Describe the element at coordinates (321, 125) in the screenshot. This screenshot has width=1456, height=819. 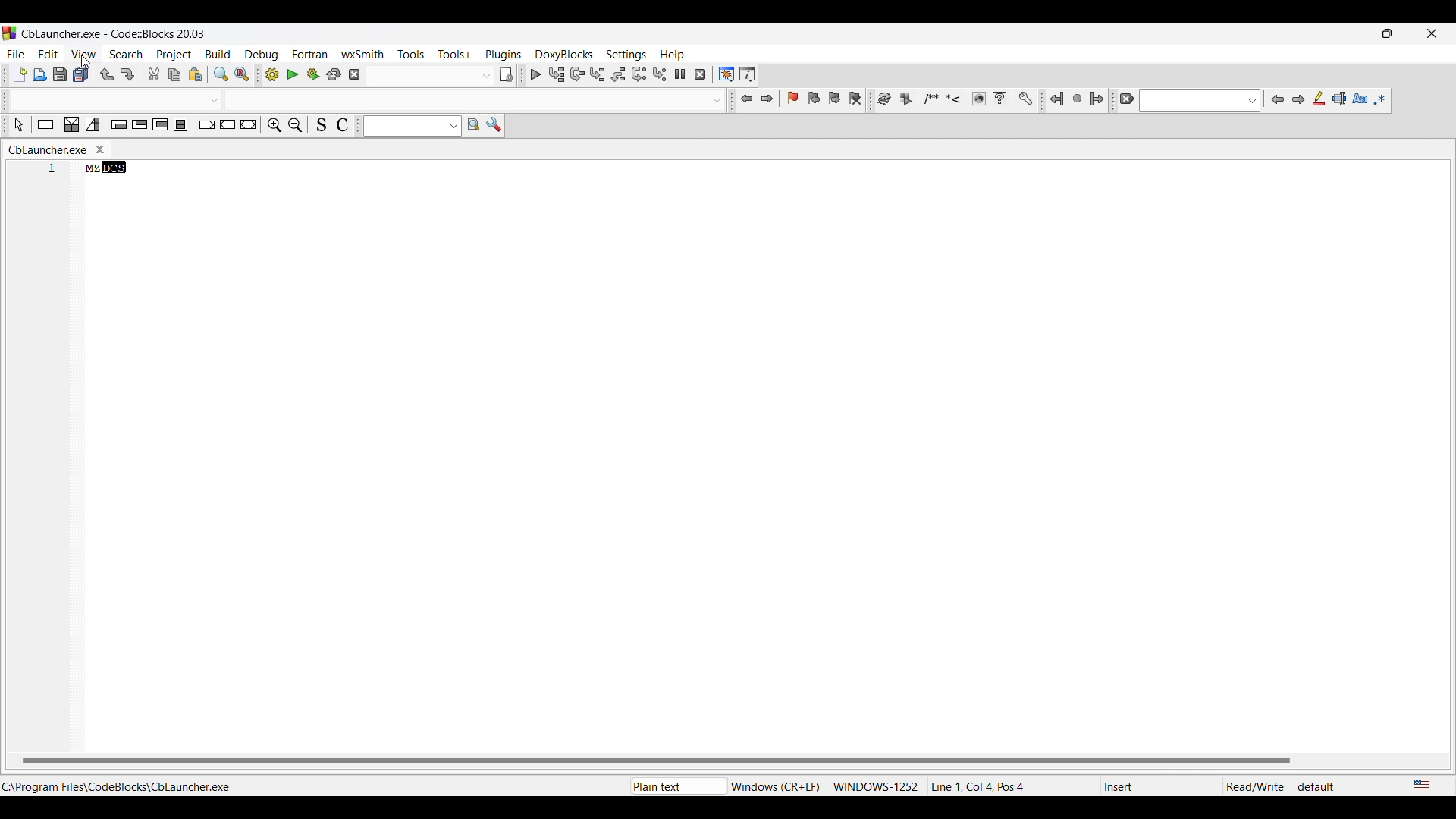
I see `Toggle source` at that location.